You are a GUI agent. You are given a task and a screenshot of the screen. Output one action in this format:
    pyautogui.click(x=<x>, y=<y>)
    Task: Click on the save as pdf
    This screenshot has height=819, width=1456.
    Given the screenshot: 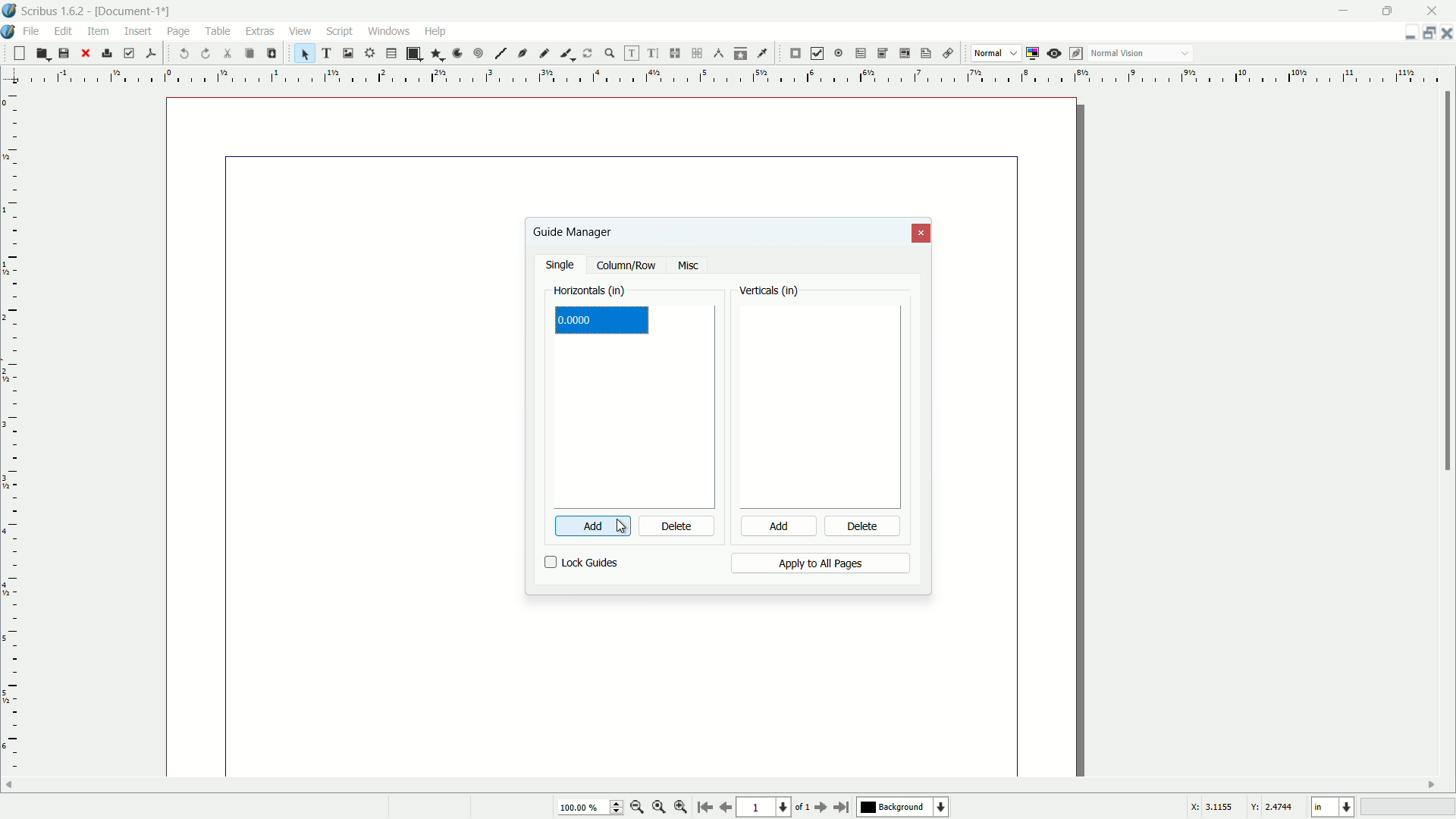 What is the action you would take?
    pyautogui.click(x=151, y=52)
    